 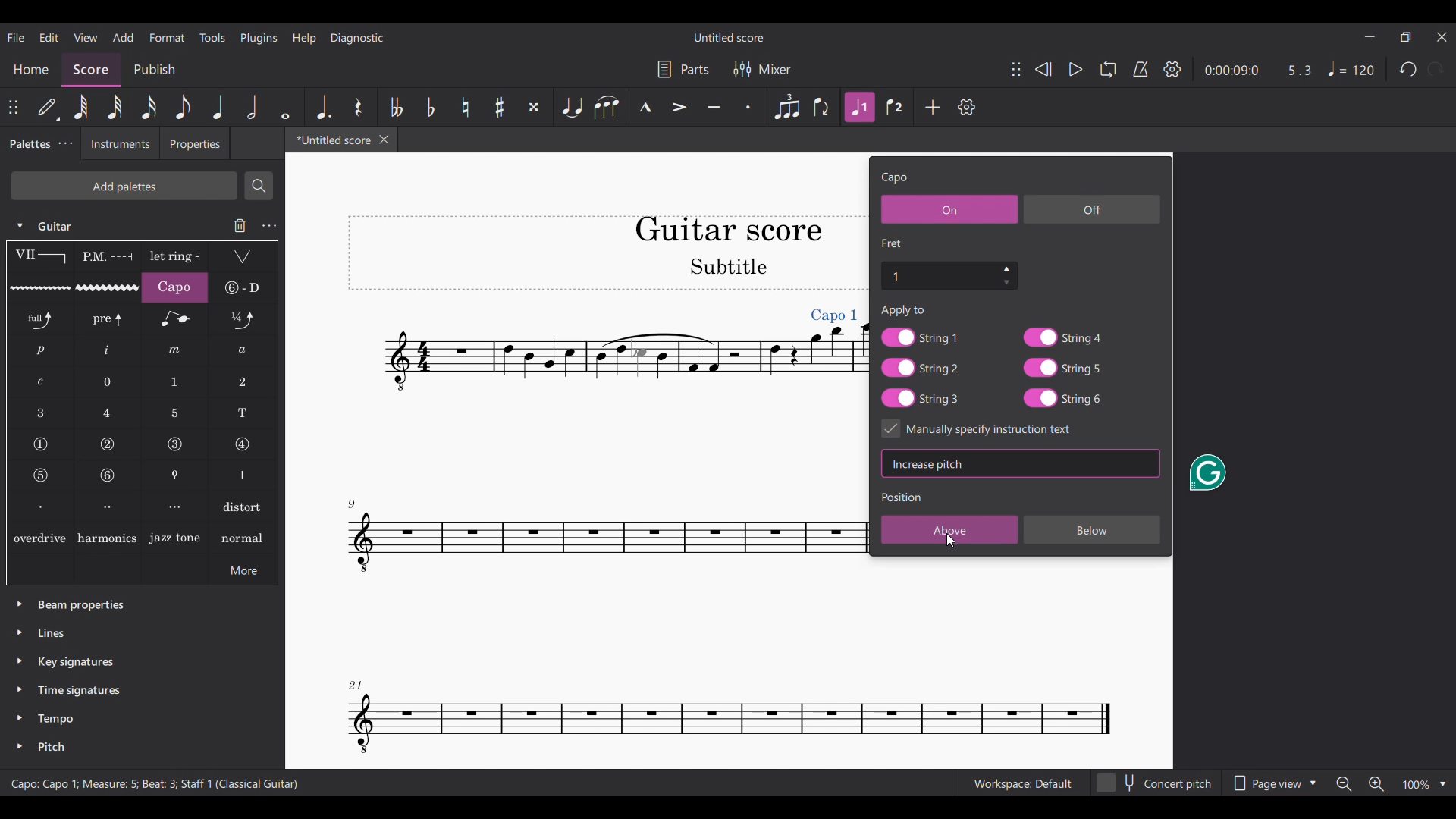 I want to click on Add menu, so click(x=123, y=37).